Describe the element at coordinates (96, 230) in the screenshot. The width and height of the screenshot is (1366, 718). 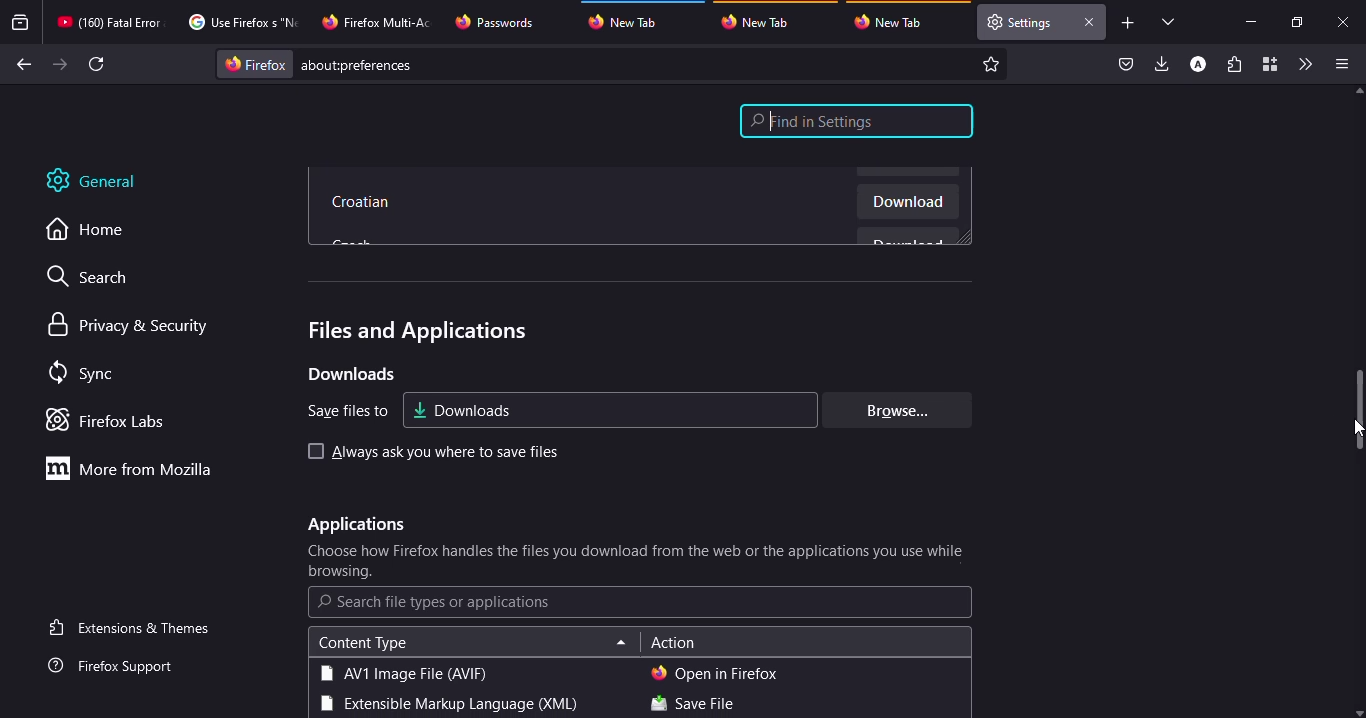
I see `home` at that location.